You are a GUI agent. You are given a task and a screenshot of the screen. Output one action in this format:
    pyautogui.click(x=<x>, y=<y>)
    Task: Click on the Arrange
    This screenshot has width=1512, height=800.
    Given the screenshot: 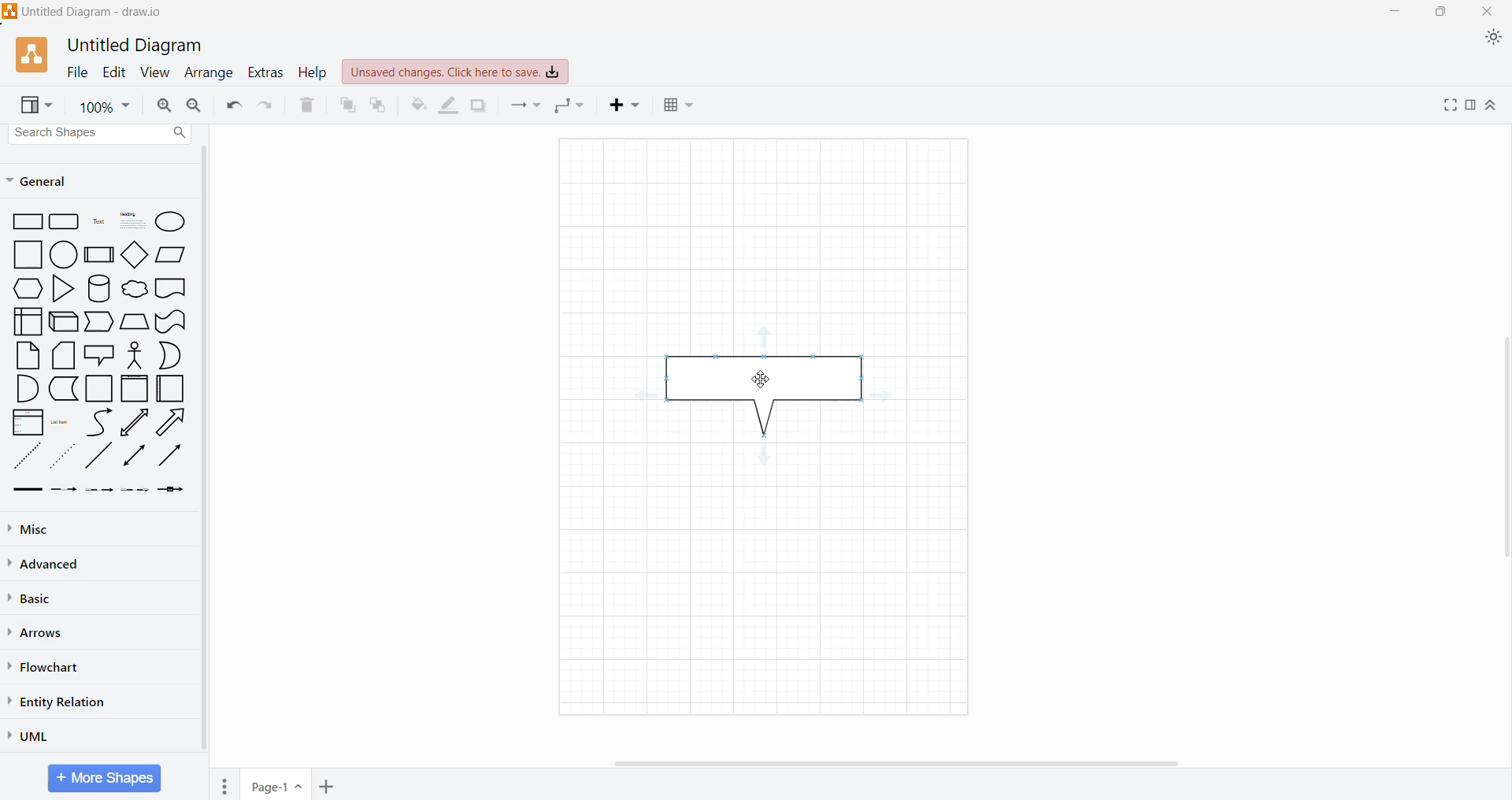 What is the action you would take?
    pyautogui.click(x=209, y=72)
    